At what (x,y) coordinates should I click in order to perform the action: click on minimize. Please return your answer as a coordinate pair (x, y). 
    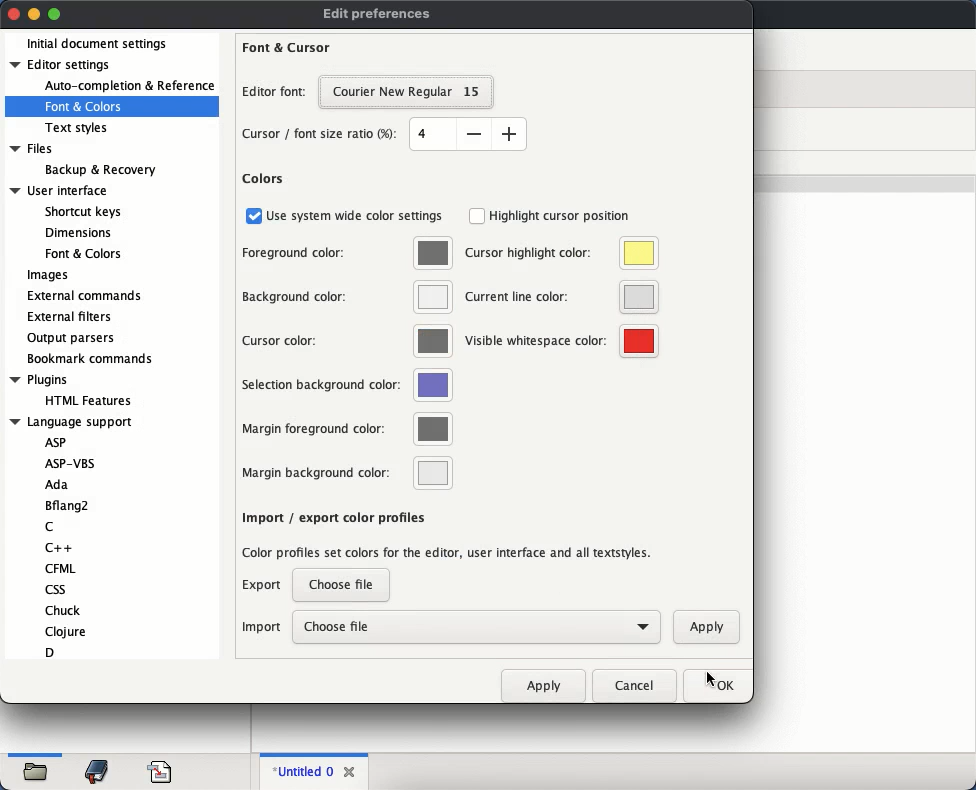
    Looking at the image, I should click on (35, 14).